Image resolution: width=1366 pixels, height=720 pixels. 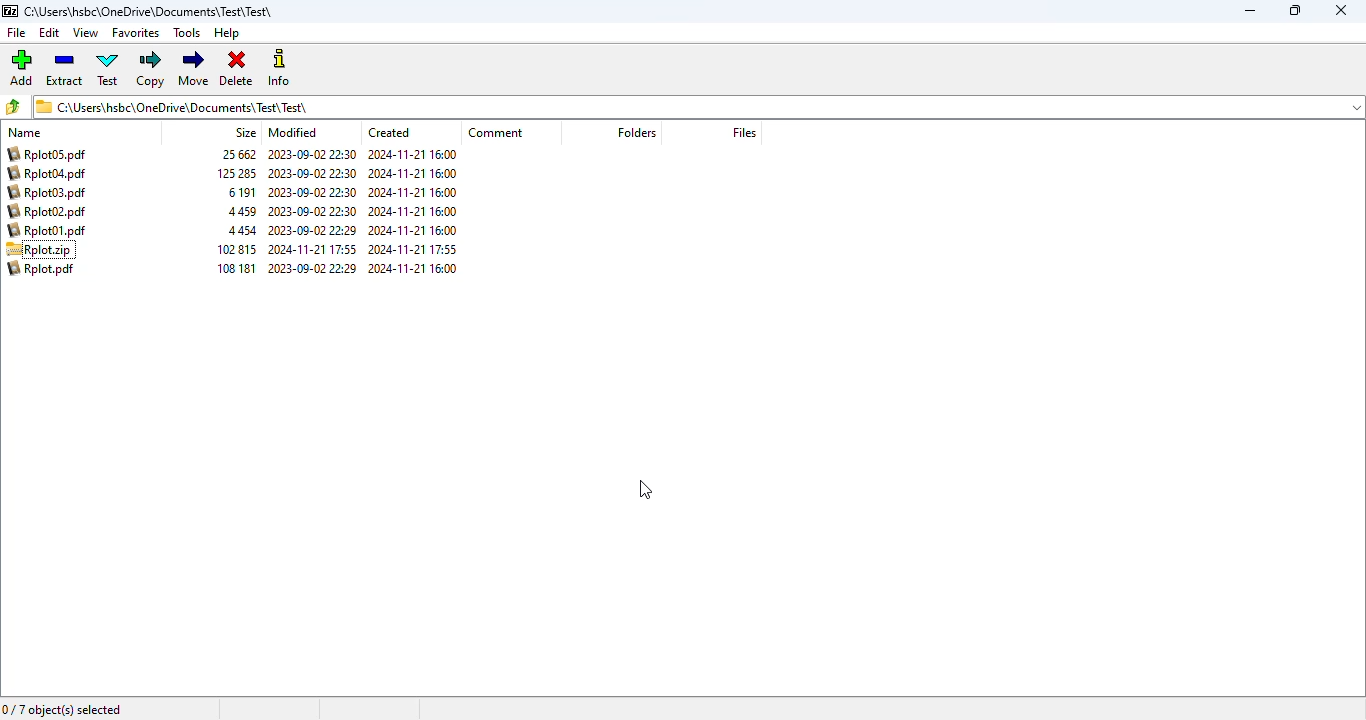 I want to click on add, so click(x=20, y=67).